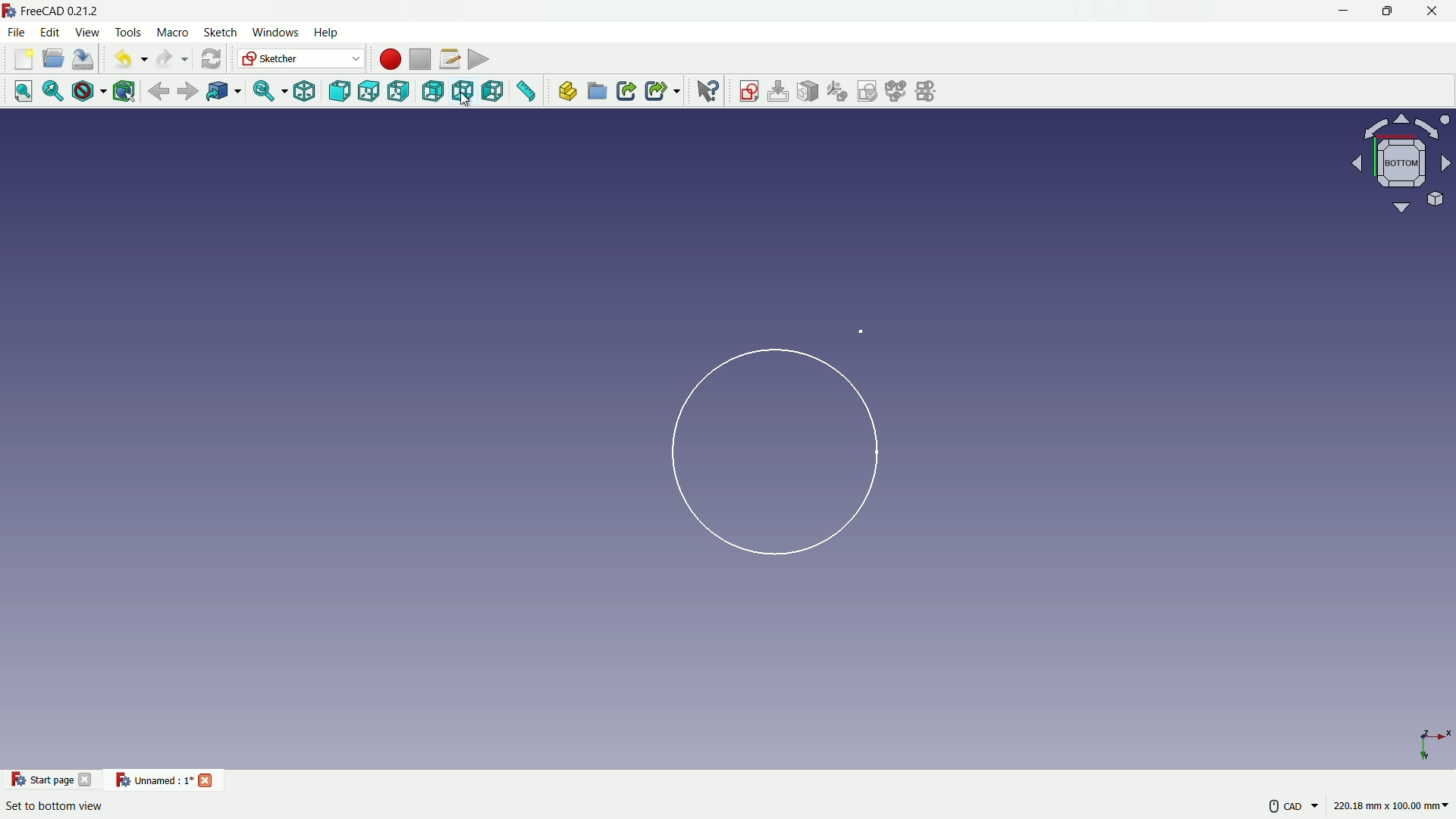  Describe the element at coordinates (171, 33) in the screenshot. I see `macro menu` at that location.